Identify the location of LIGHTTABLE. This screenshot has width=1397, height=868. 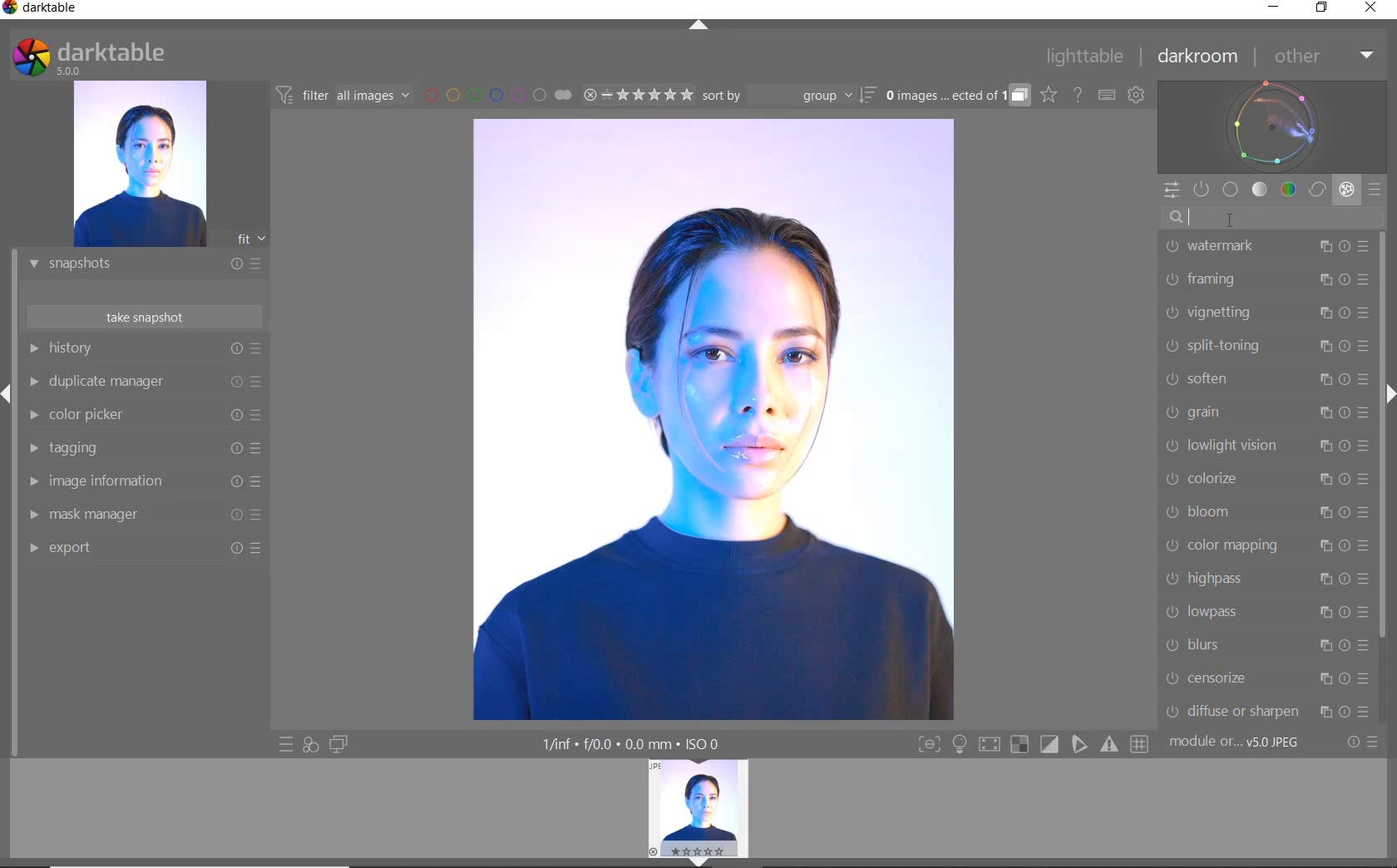
(1085, 59).